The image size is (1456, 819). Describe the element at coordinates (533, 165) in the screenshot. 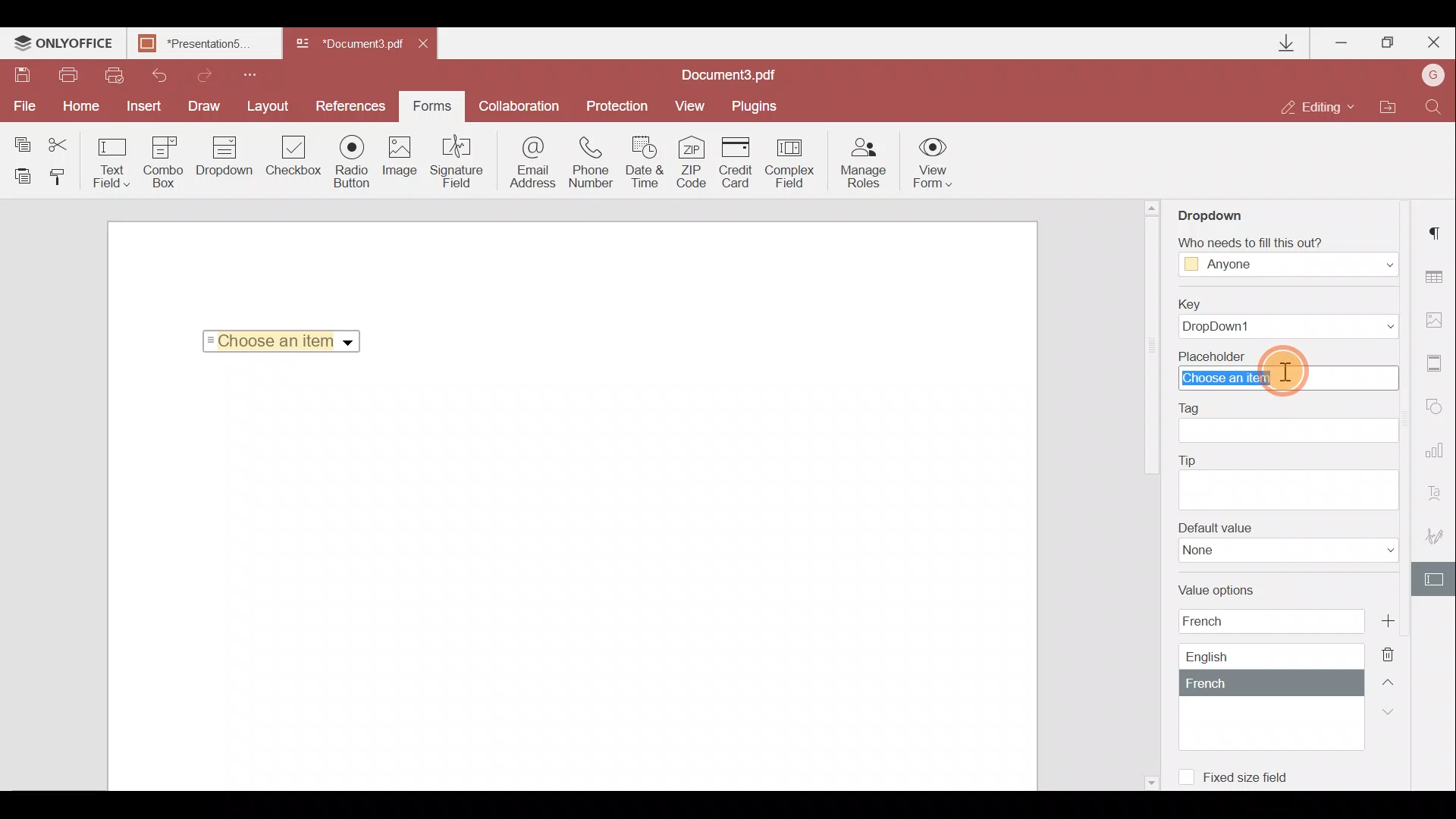

I see `Email address` at that location.